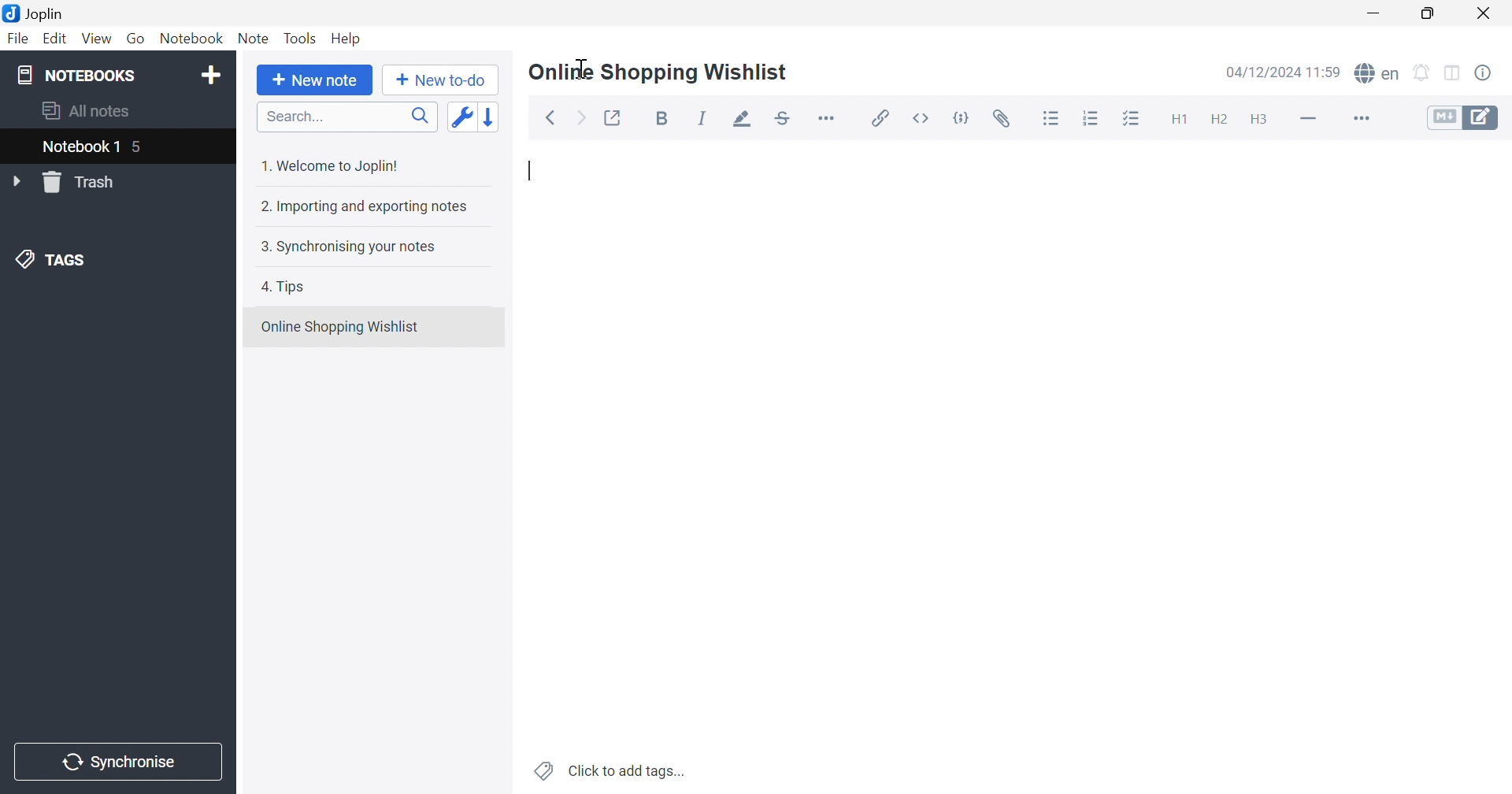  Describe the element at coordinates (1466, 119) in the screenshot. I see `Toggle editors` at that location.